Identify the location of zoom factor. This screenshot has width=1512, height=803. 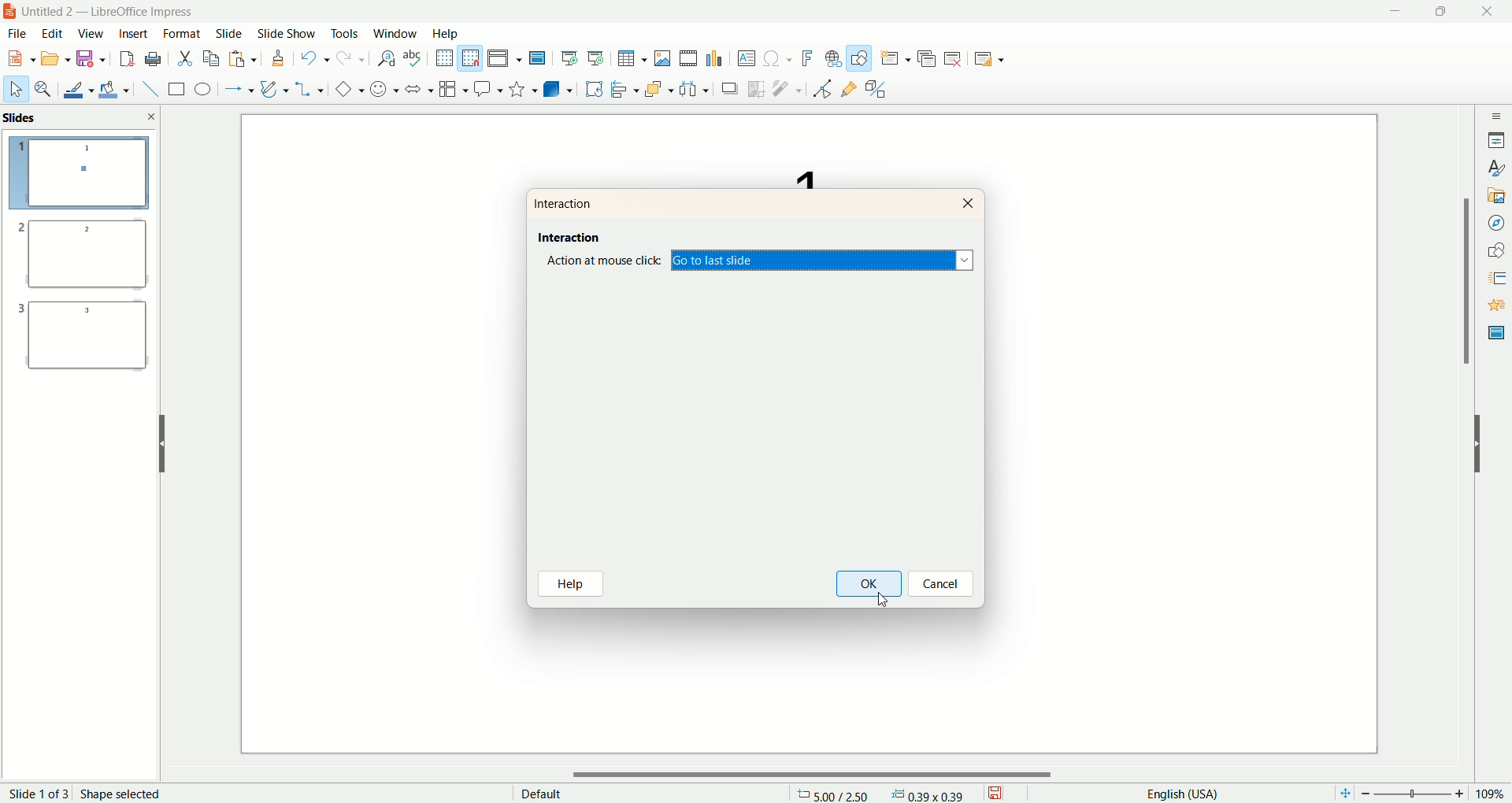
(1420, 794).